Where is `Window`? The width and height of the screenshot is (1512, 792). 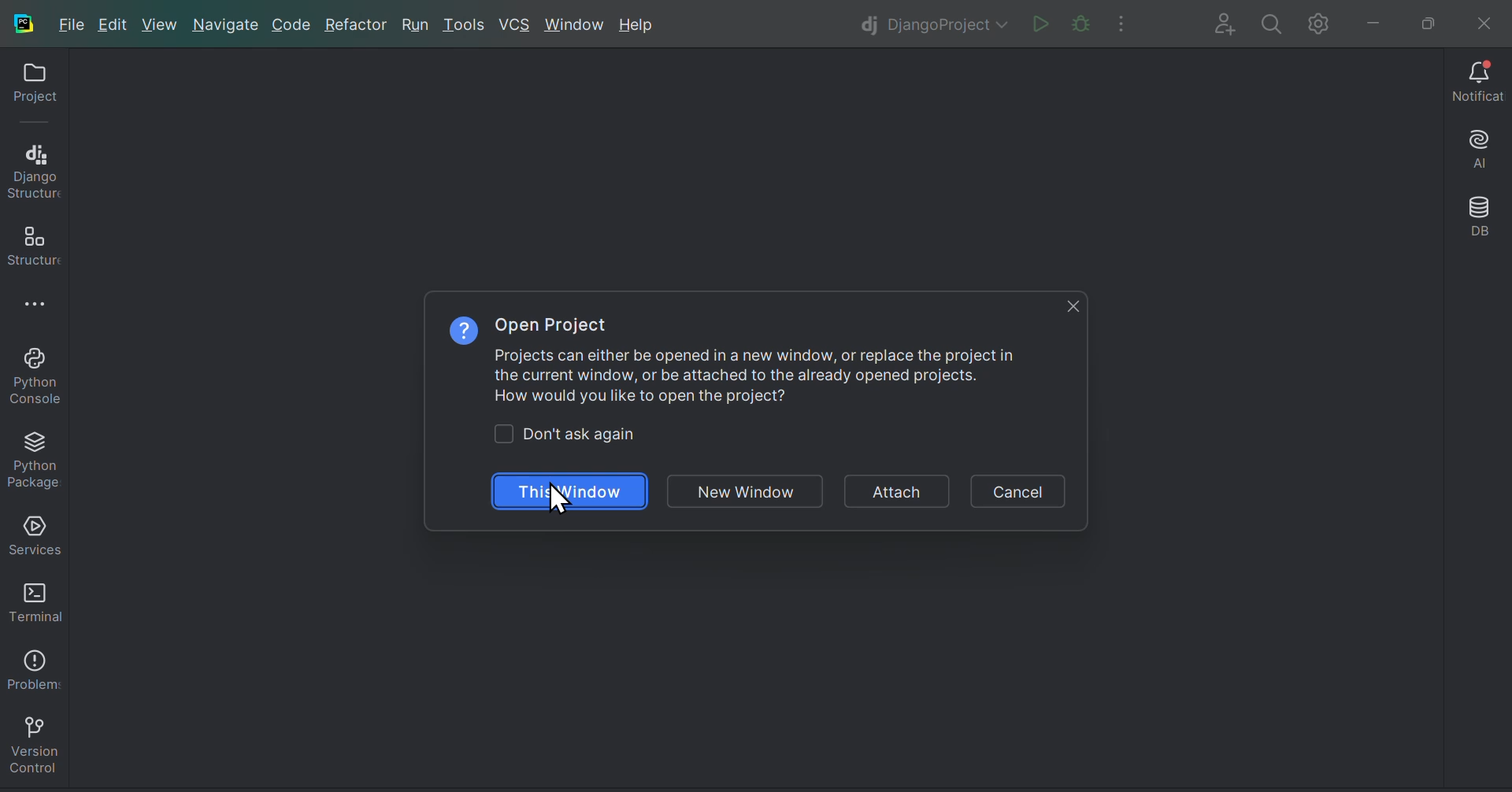
Window is located at coordinates (578, 26).